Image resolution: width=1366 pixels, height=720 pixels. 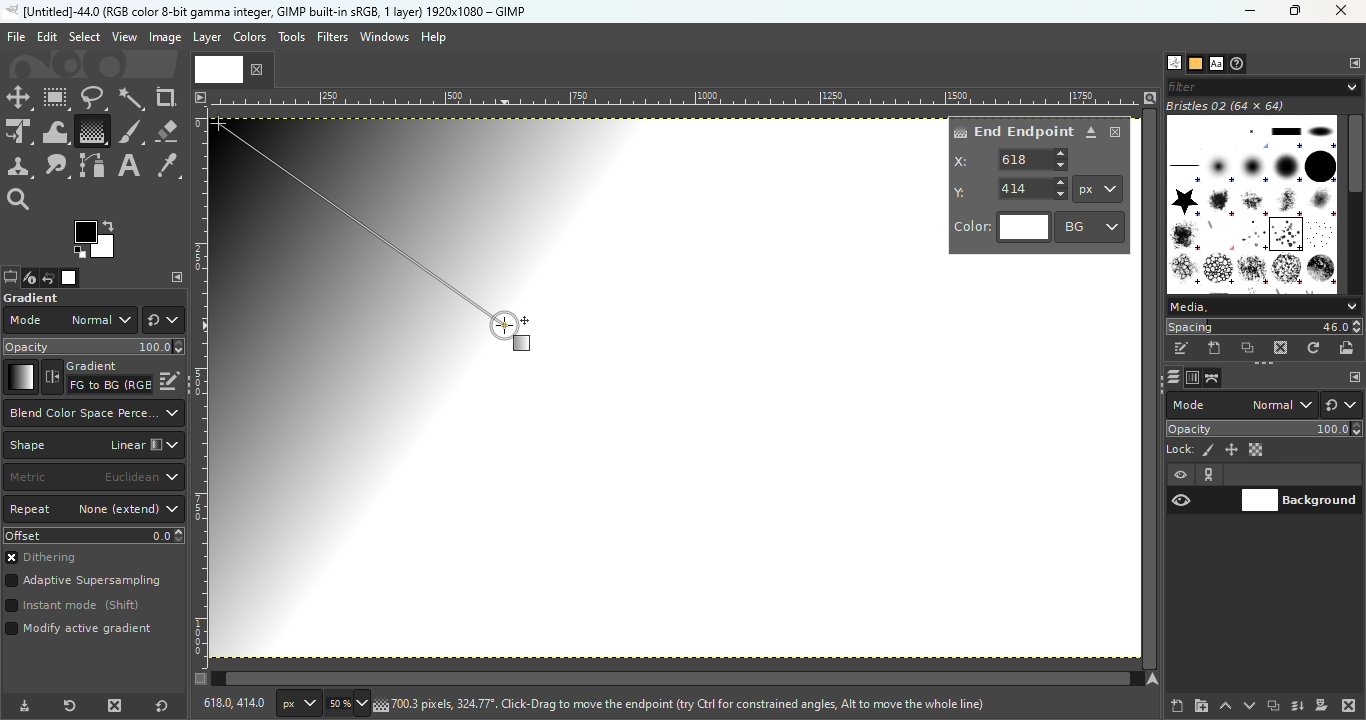 I want to click on Windows, so click(x=384, y=37).